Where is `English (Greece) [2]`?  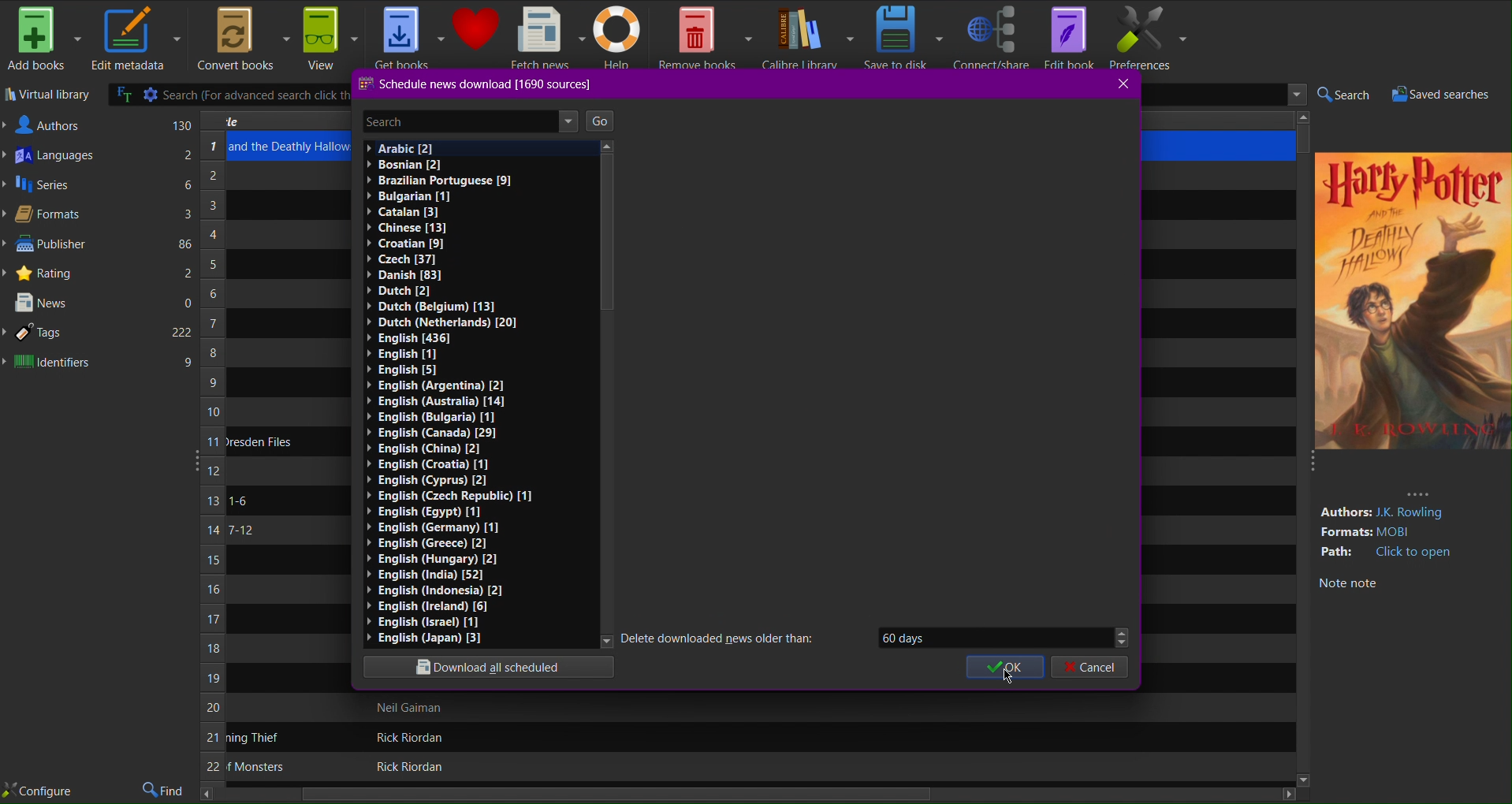 English (Greece) [2] is located at coordinates (425, 542).